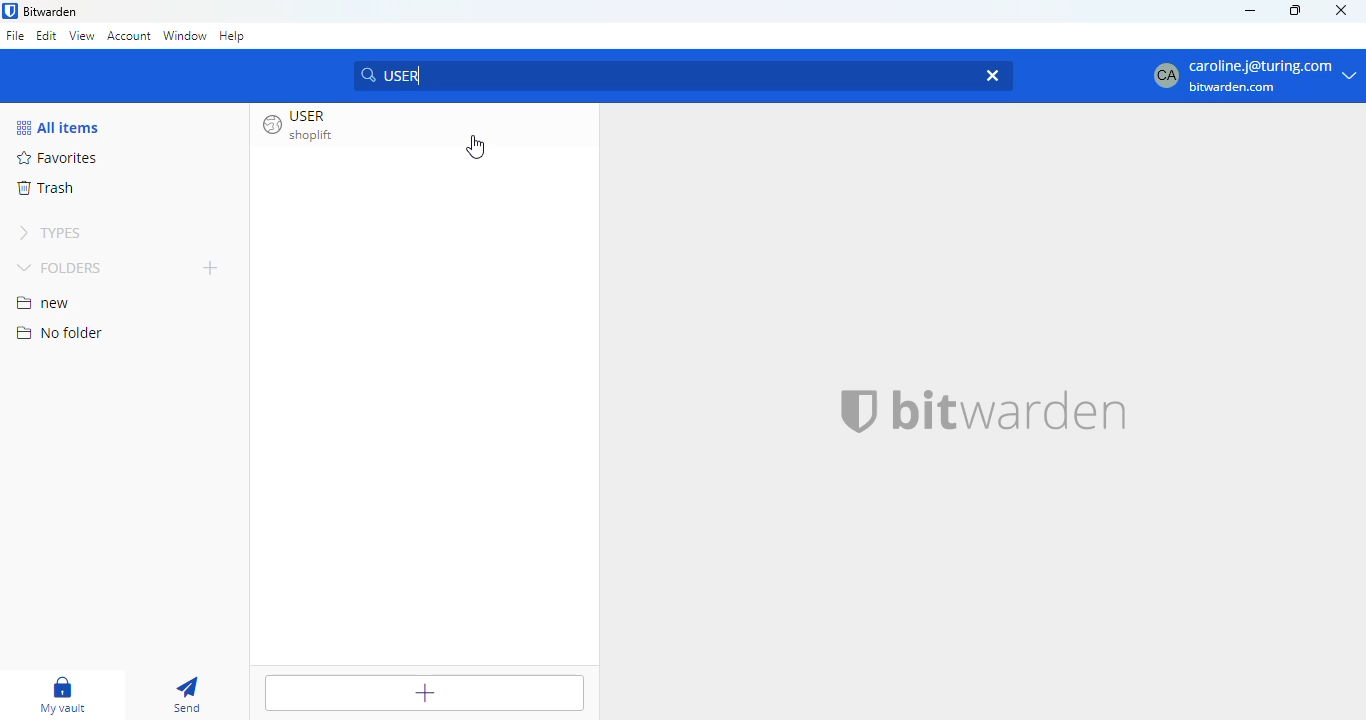  Describe the element at coordinates (860, 411) in the screenshot. I see `logo` at that location.